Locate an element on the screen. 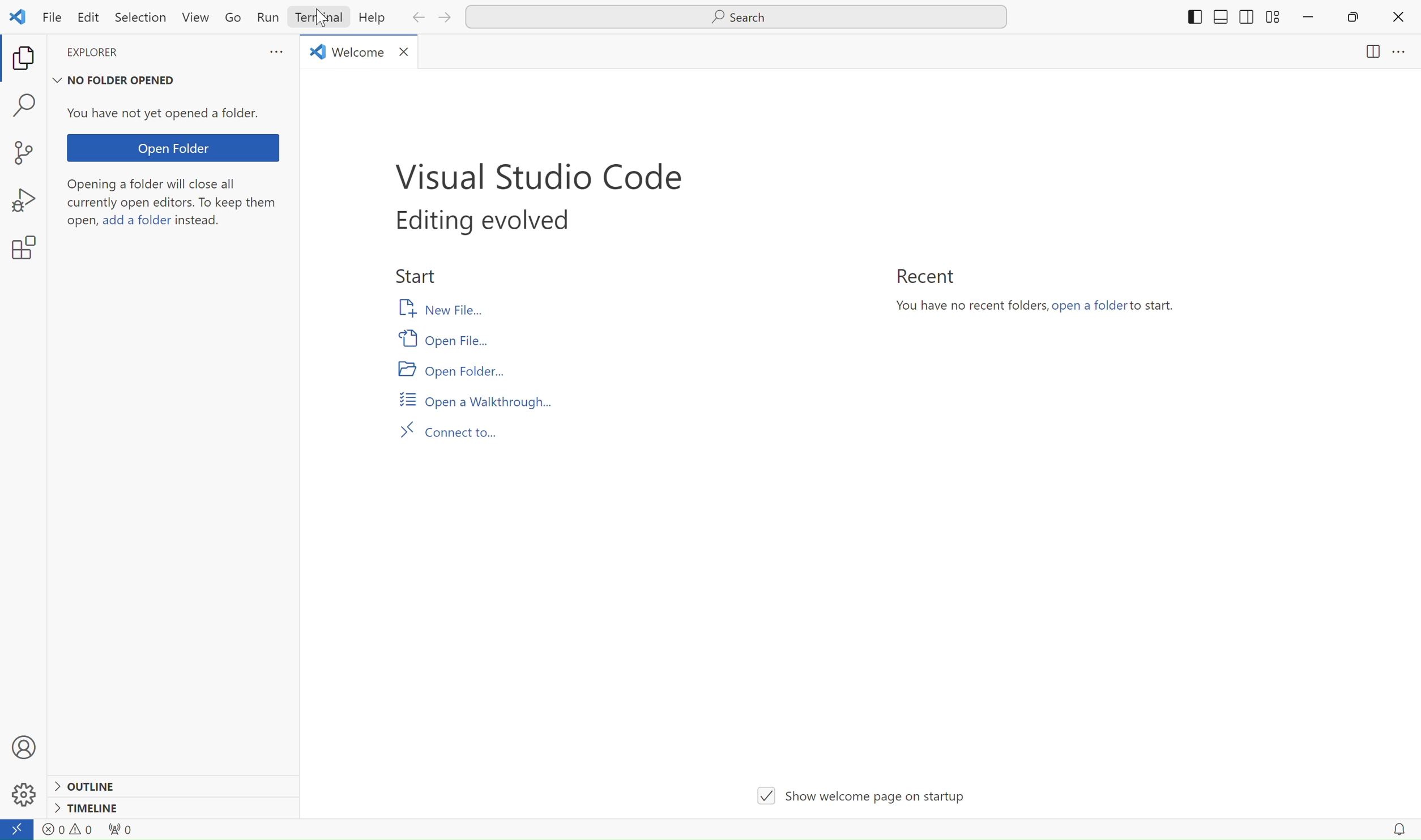 This screenshot has height=840, width=1421. settings is located at coordinates (32, 247).